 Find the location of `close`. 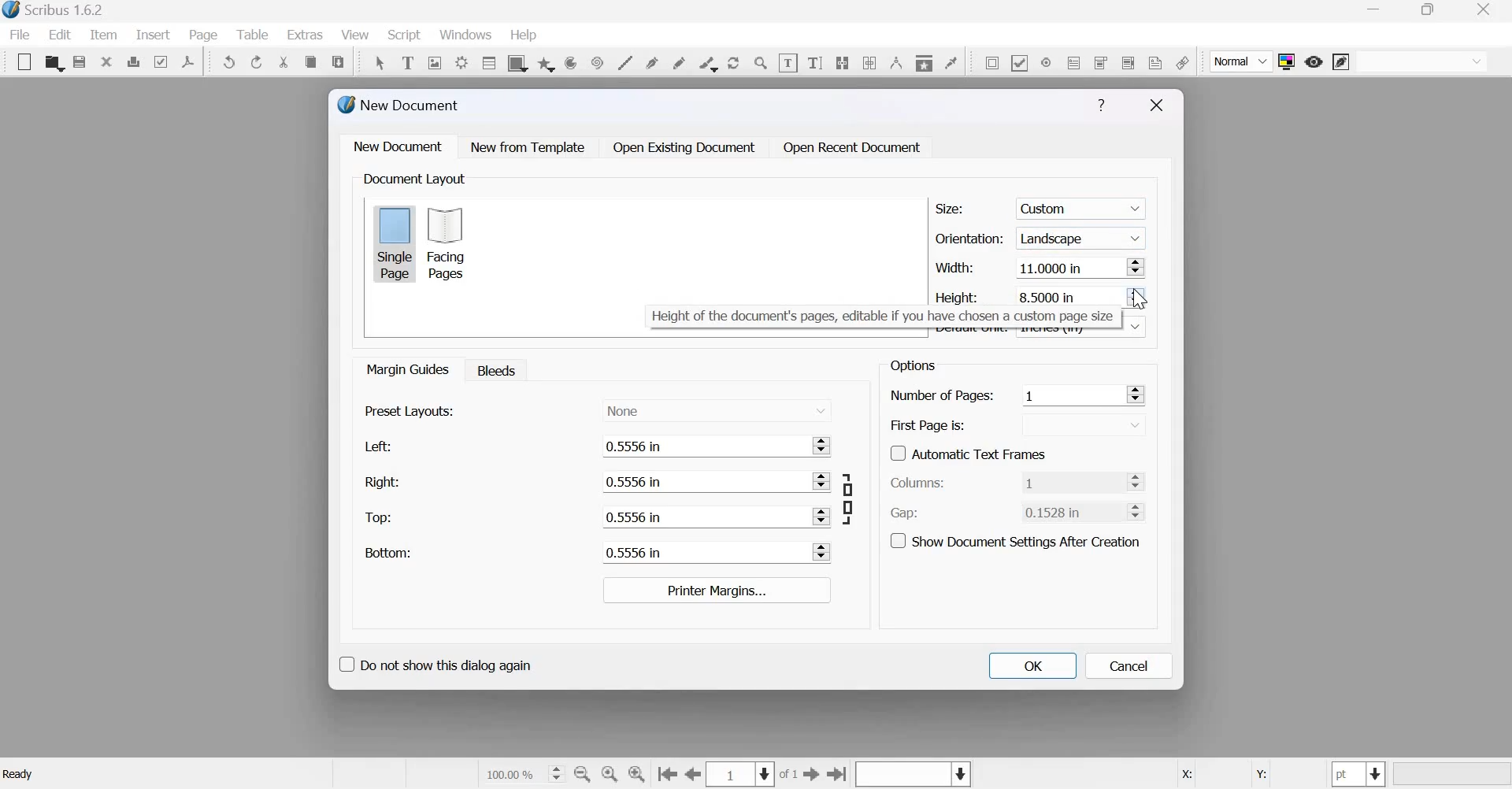

close is located at coordinates (1488, 9).